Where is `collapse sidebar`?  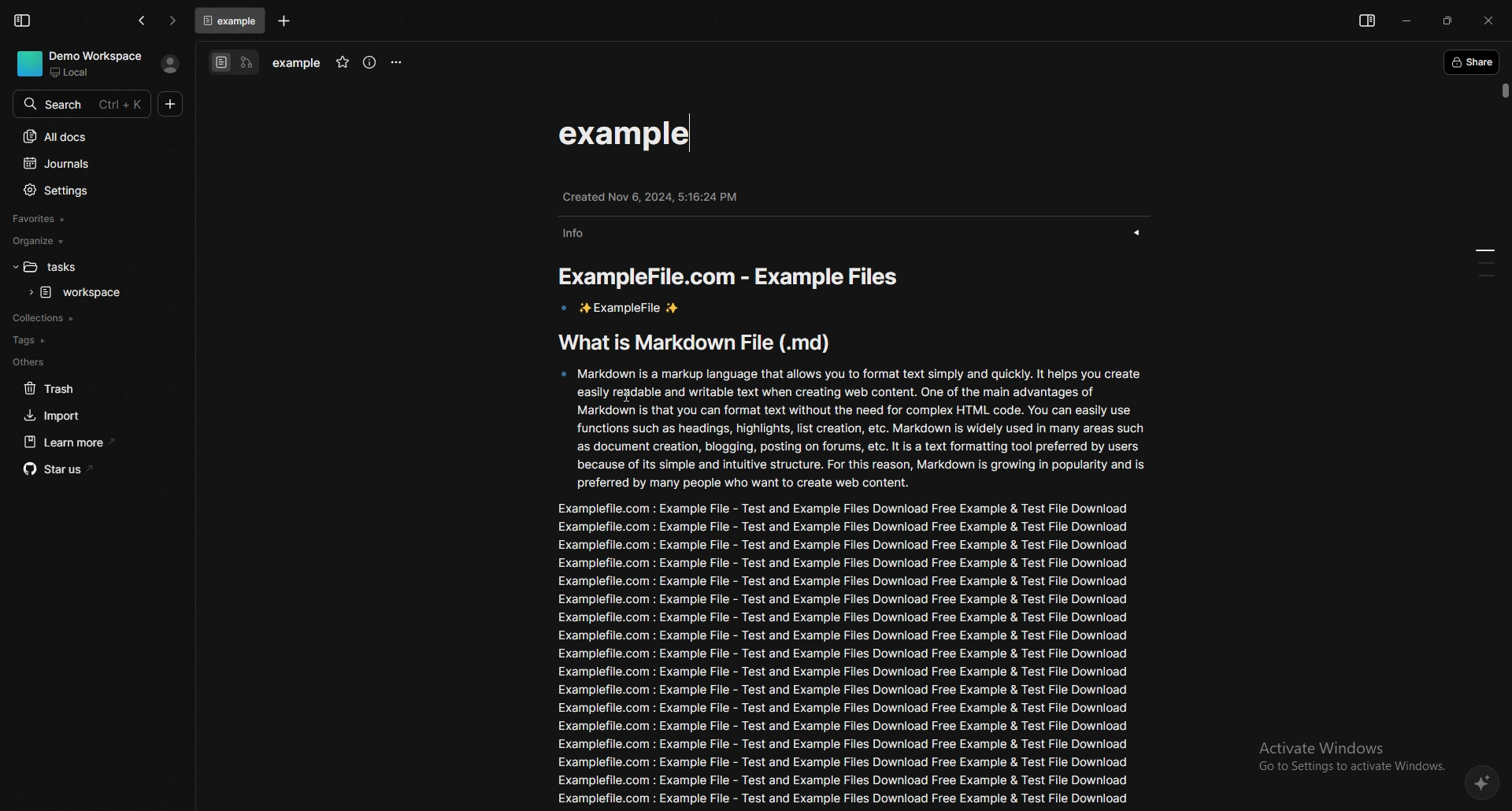
collapse sidebar is located at coordinates (22, 20).